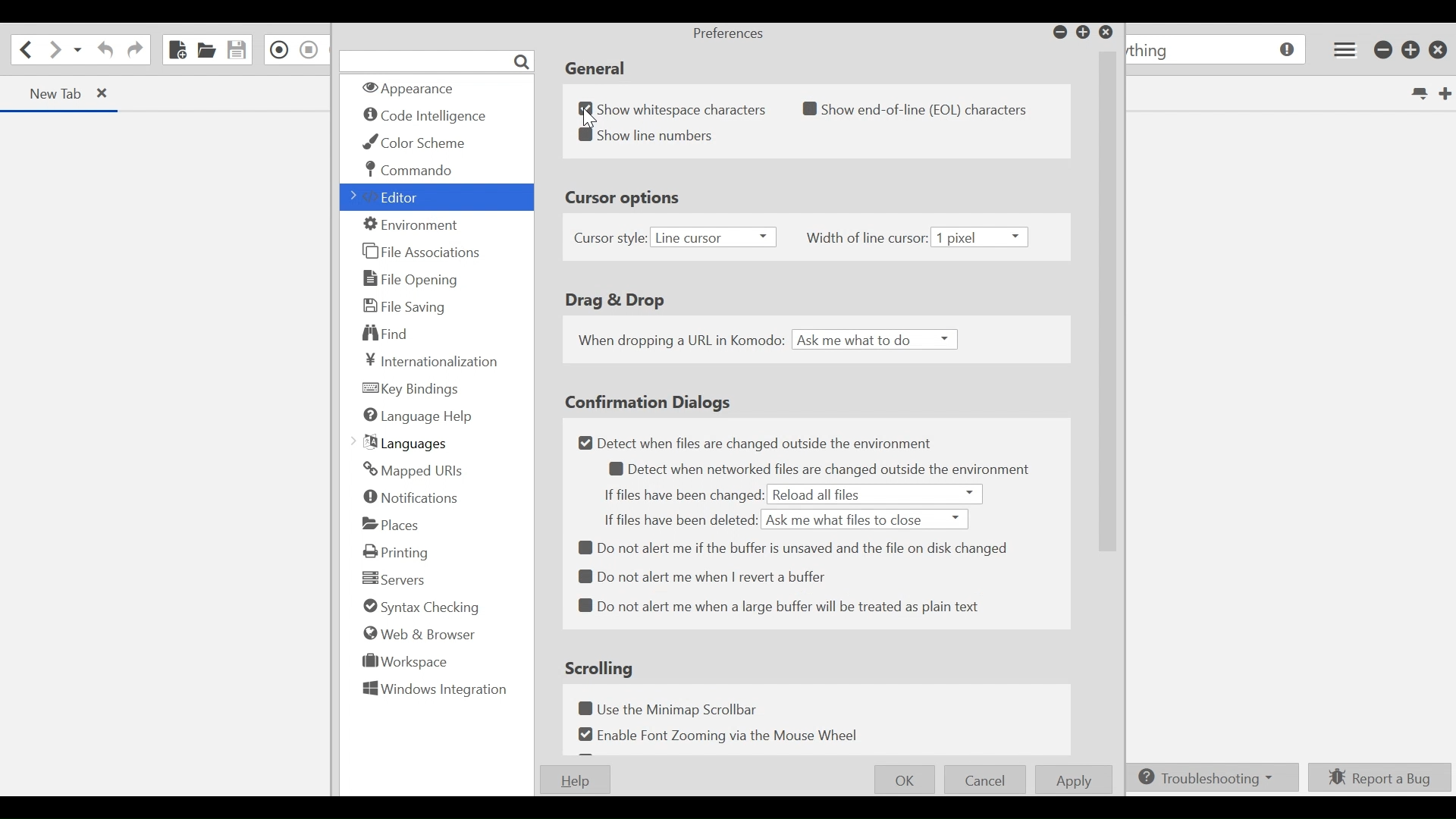 The image size is (1456, 819). What do you see at coordinates (1105, 309) in the screenshot?
I see `Vertical Scroll bar` at bounding box center [1105, 309].